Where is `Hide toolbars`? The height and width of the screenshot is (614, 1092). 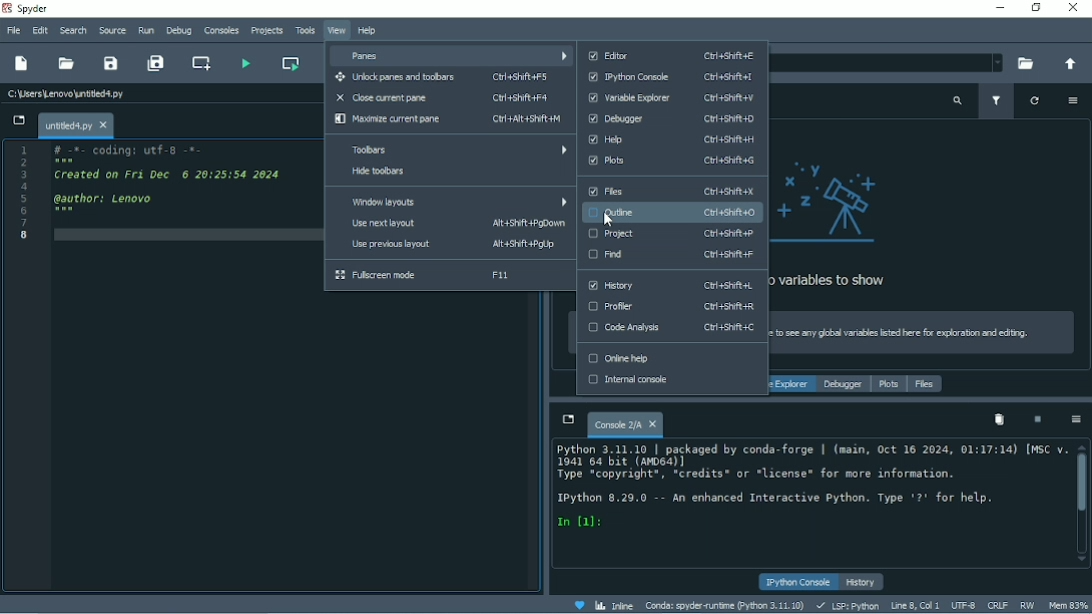
Hide toolbars is located at coordinates (448, 174).